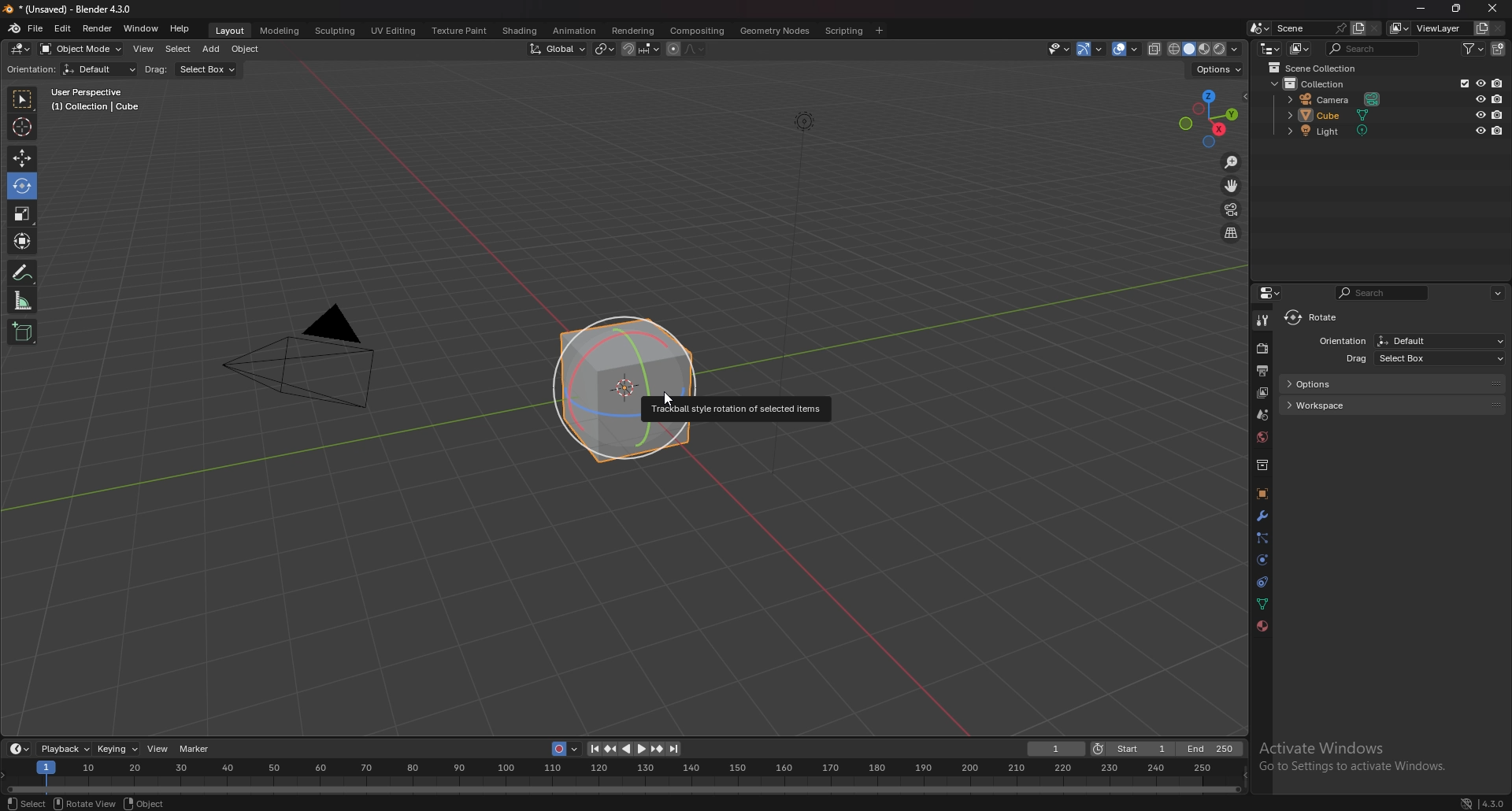  I want to click on keying, so click(118, 749).